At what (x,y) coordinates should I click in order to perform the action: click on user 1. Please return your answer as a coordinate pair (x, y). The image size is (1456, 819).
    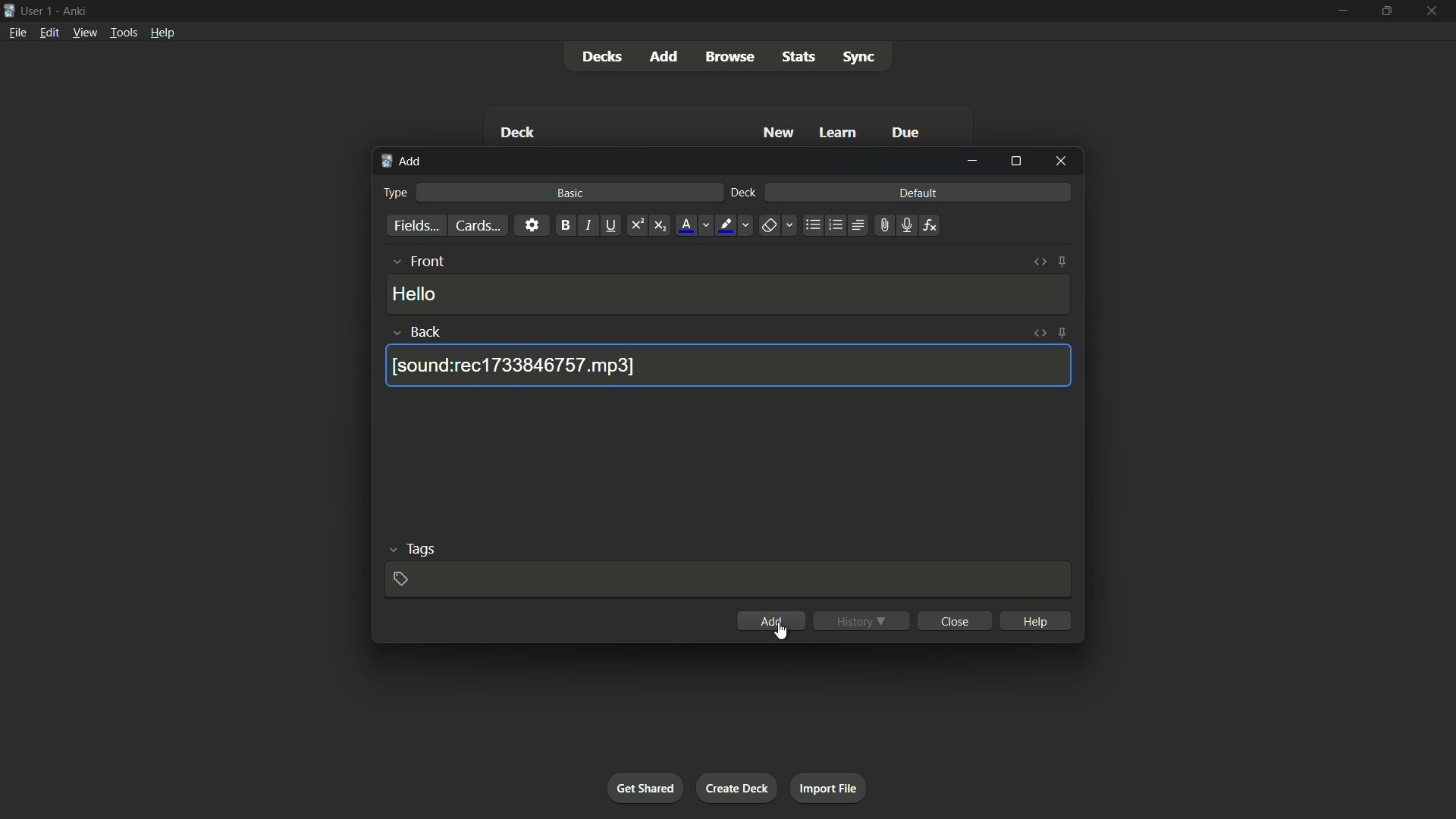
    Looking at the image, I should click on (39, 11).